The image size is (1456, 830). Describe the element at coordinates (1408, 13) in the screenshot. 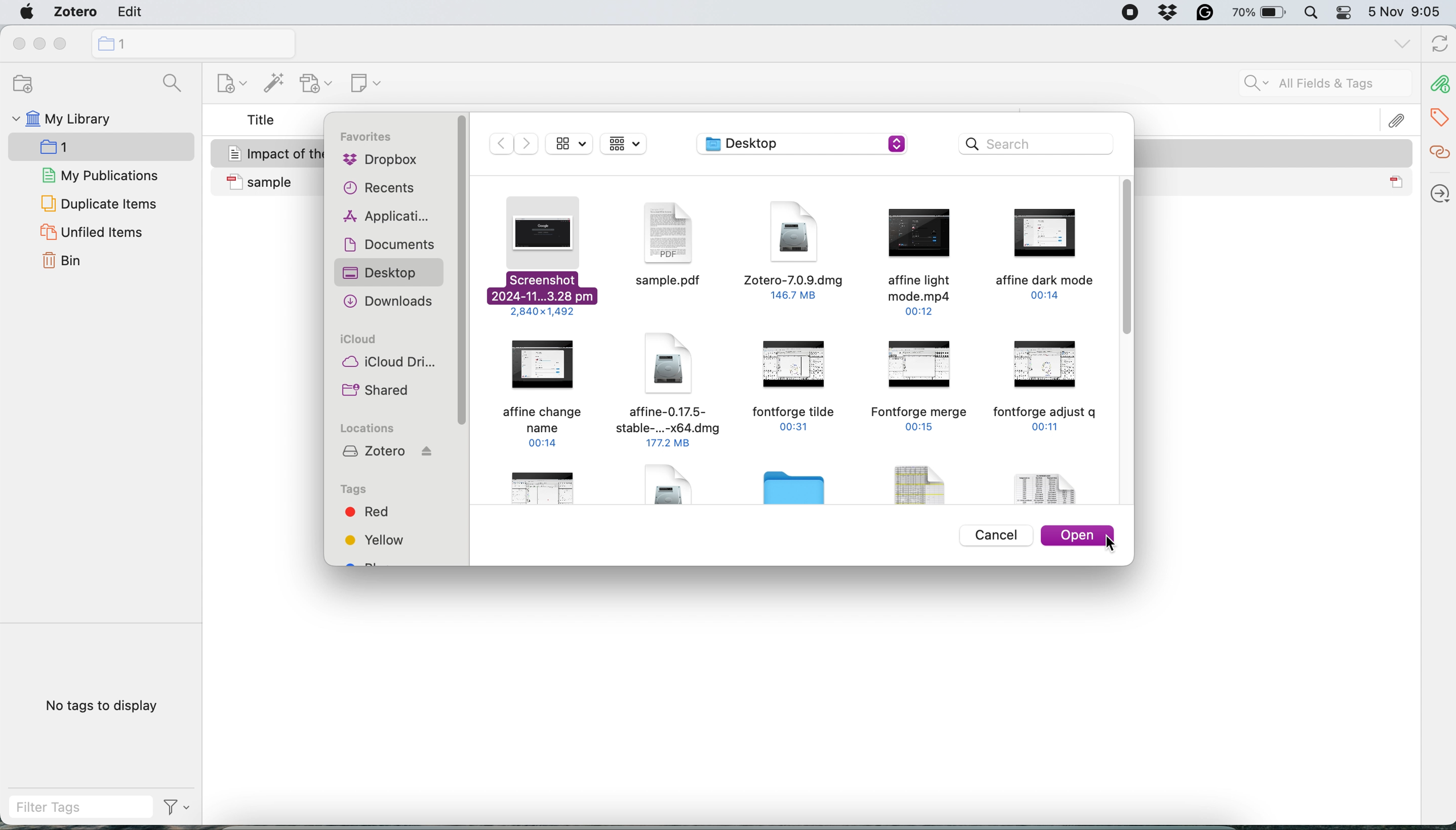

I see `5 Nov 9:05` at that location.